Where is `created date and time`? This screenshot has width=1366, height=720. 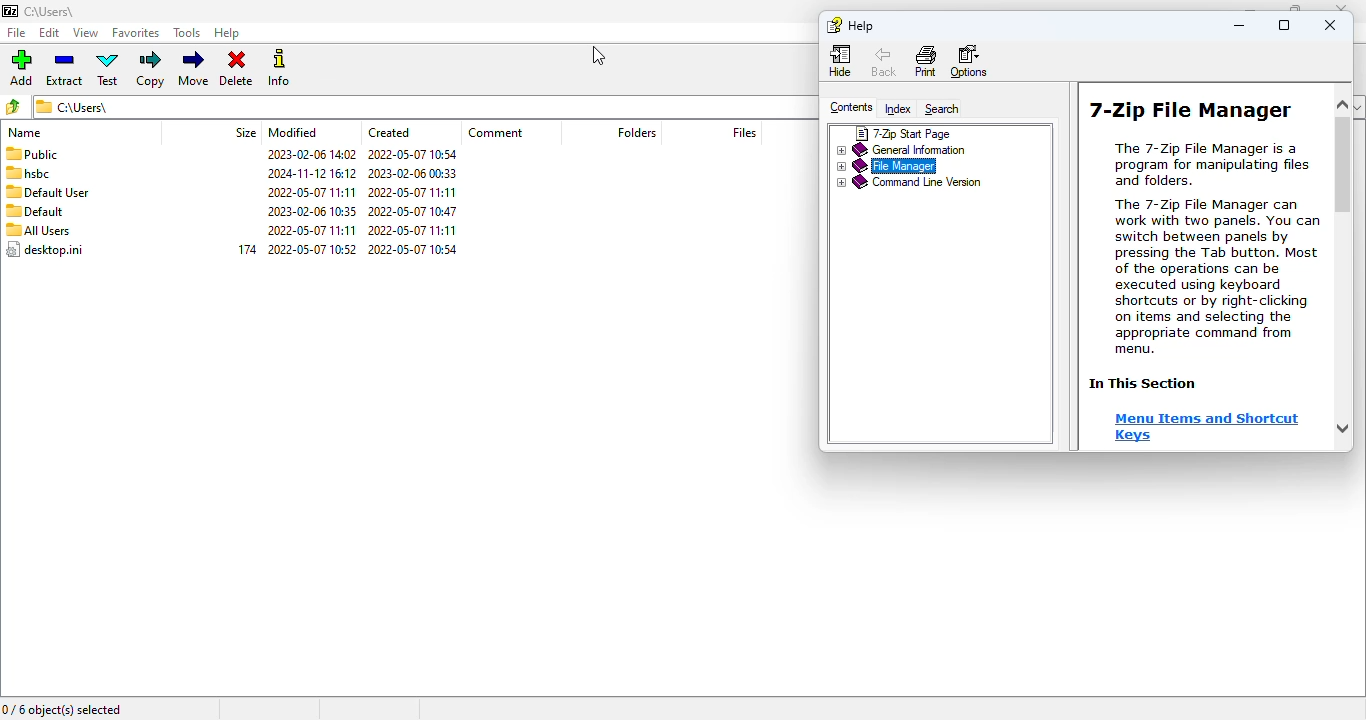
created date and time is located at coordinates (414, 202).